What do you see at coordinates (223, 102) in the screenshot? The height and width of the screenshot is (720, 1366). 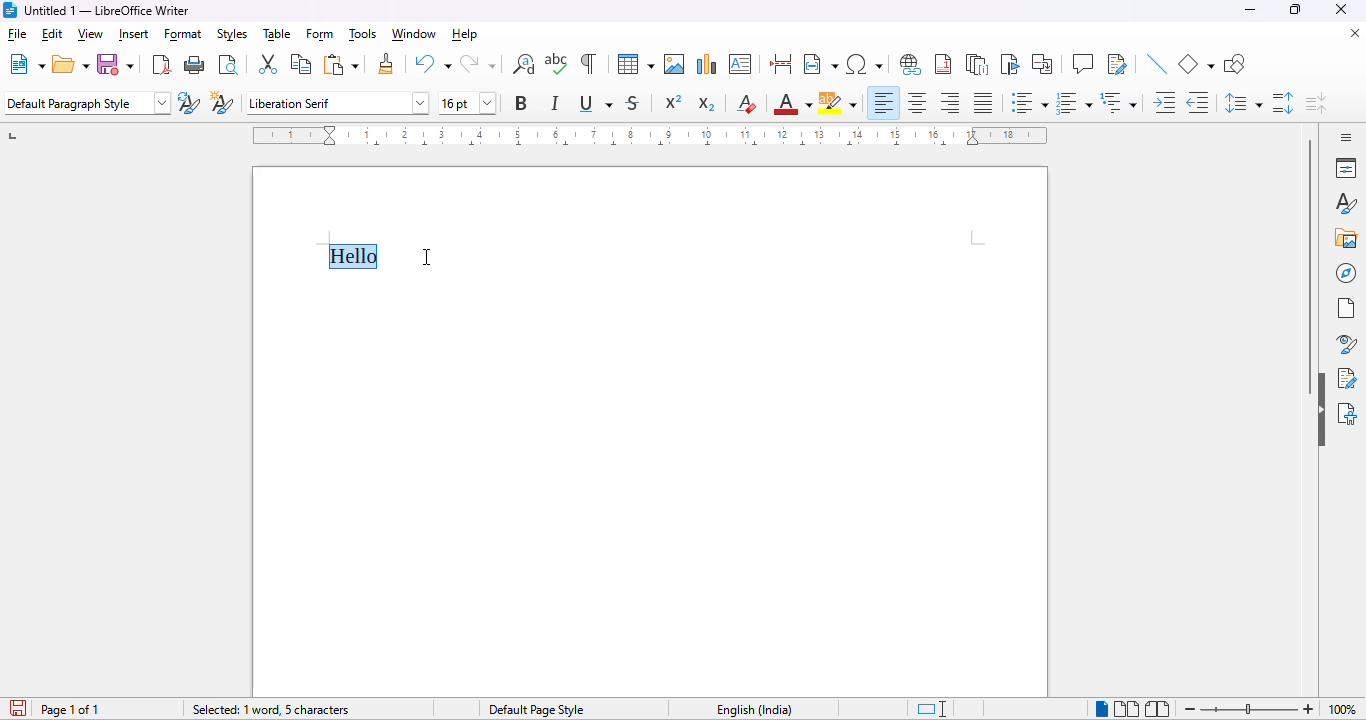 I see `new style from selection` at bounding box center [223, 102].